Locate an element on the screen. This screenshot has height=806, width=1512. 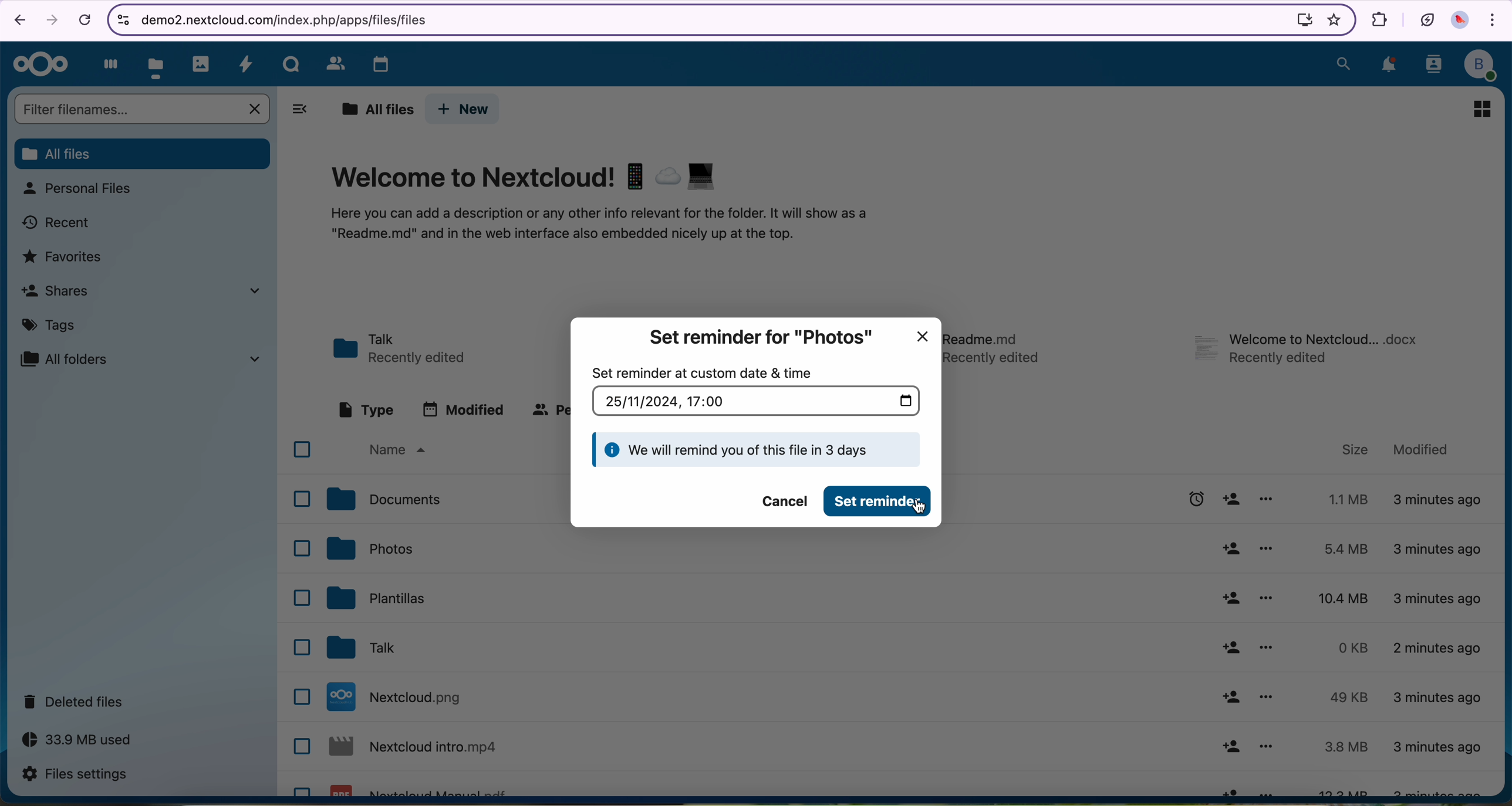
cursor is located at coordinates (1269, 558).